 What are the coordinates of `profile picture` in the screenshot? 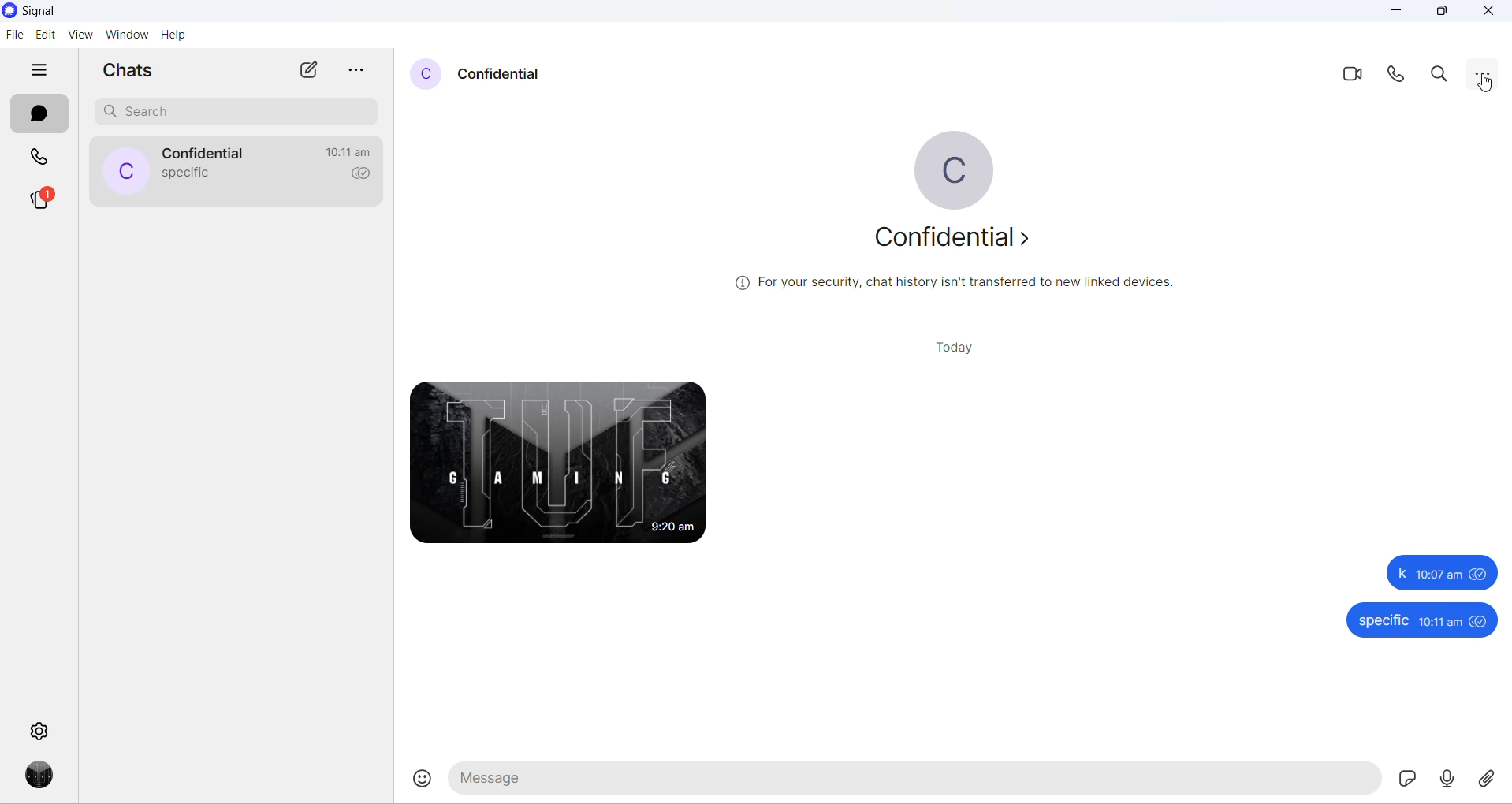 It's located at (424, 75).